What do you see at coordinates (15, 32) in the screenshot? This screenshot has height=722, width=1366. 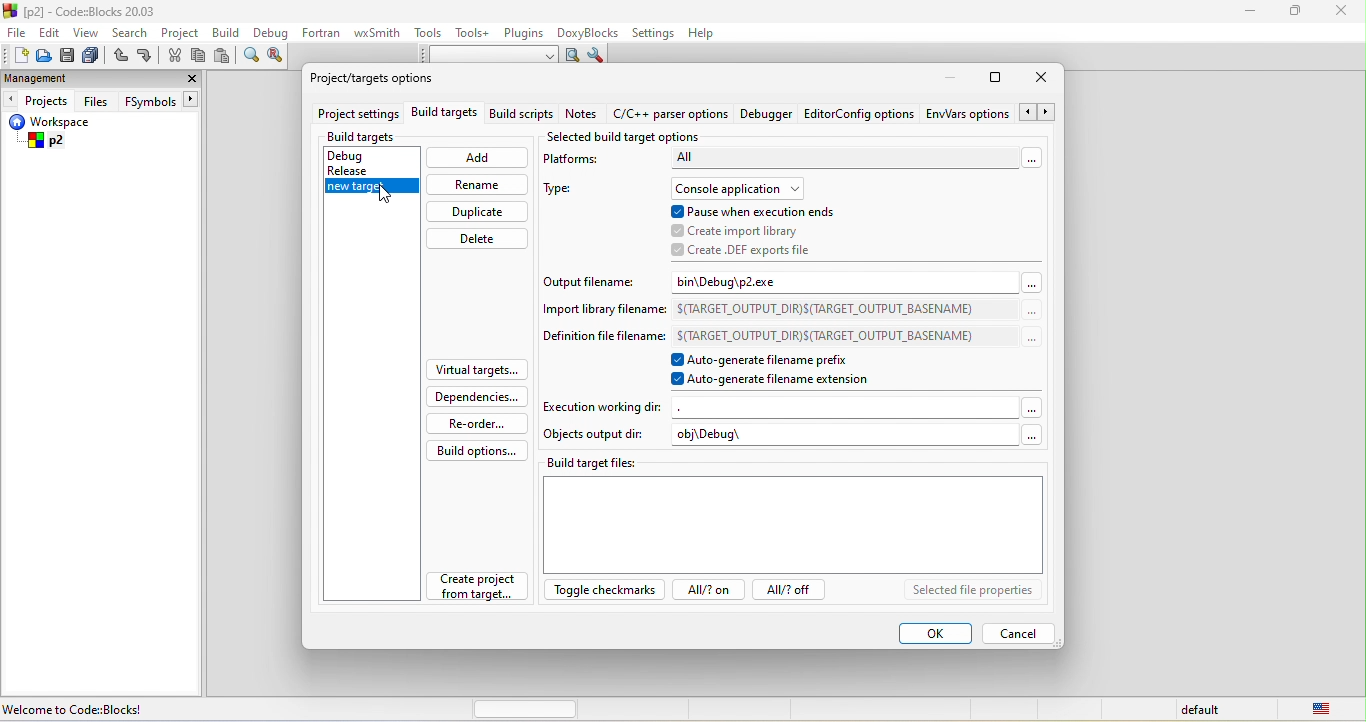 I see `file` at bounding box center [15, 32].